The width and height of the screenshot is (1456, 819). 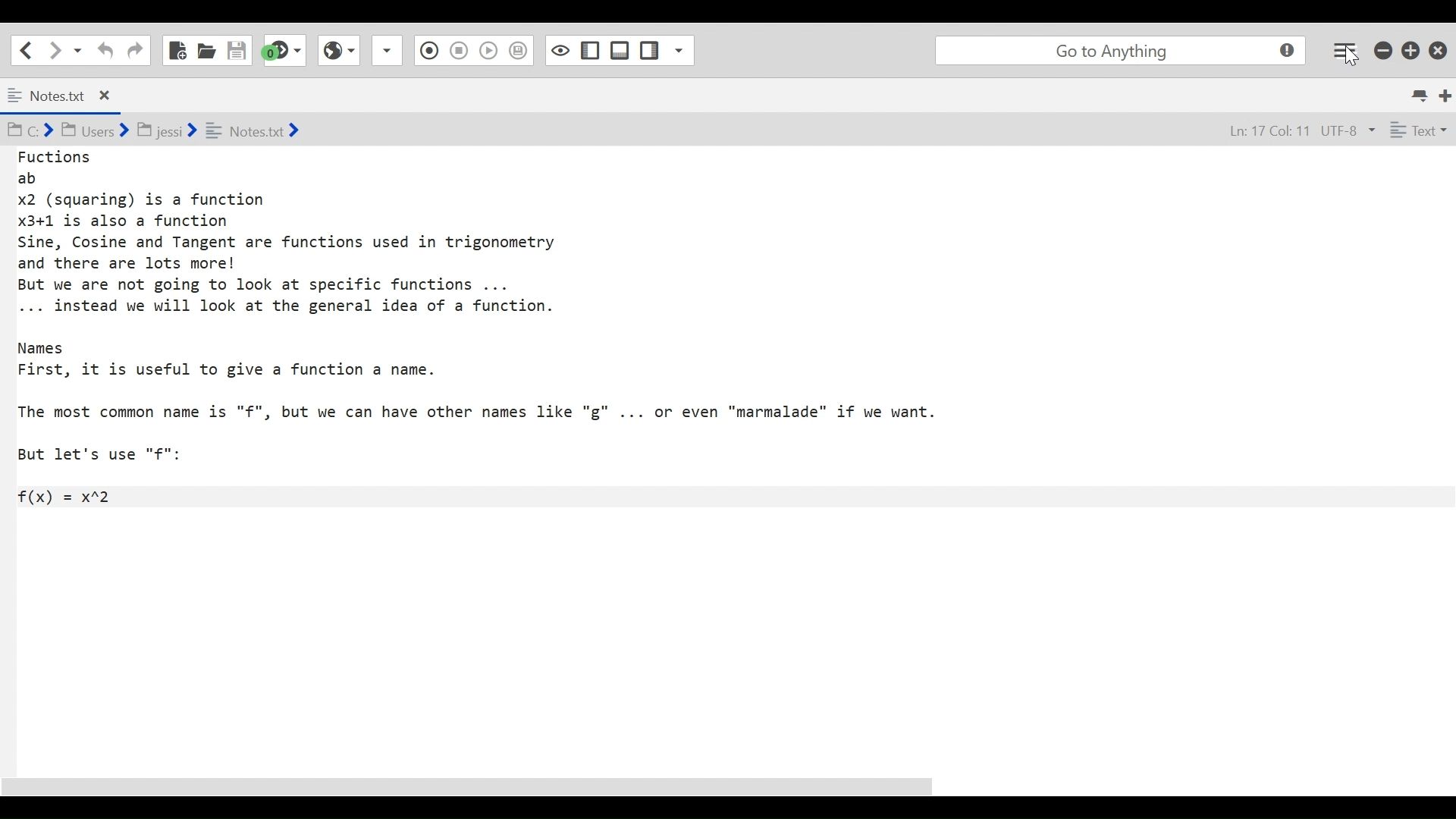 What do you see at coordinates (1421, 93) in the screenshot?
I see `List All Tabs` at bounding box center [1421, 93].